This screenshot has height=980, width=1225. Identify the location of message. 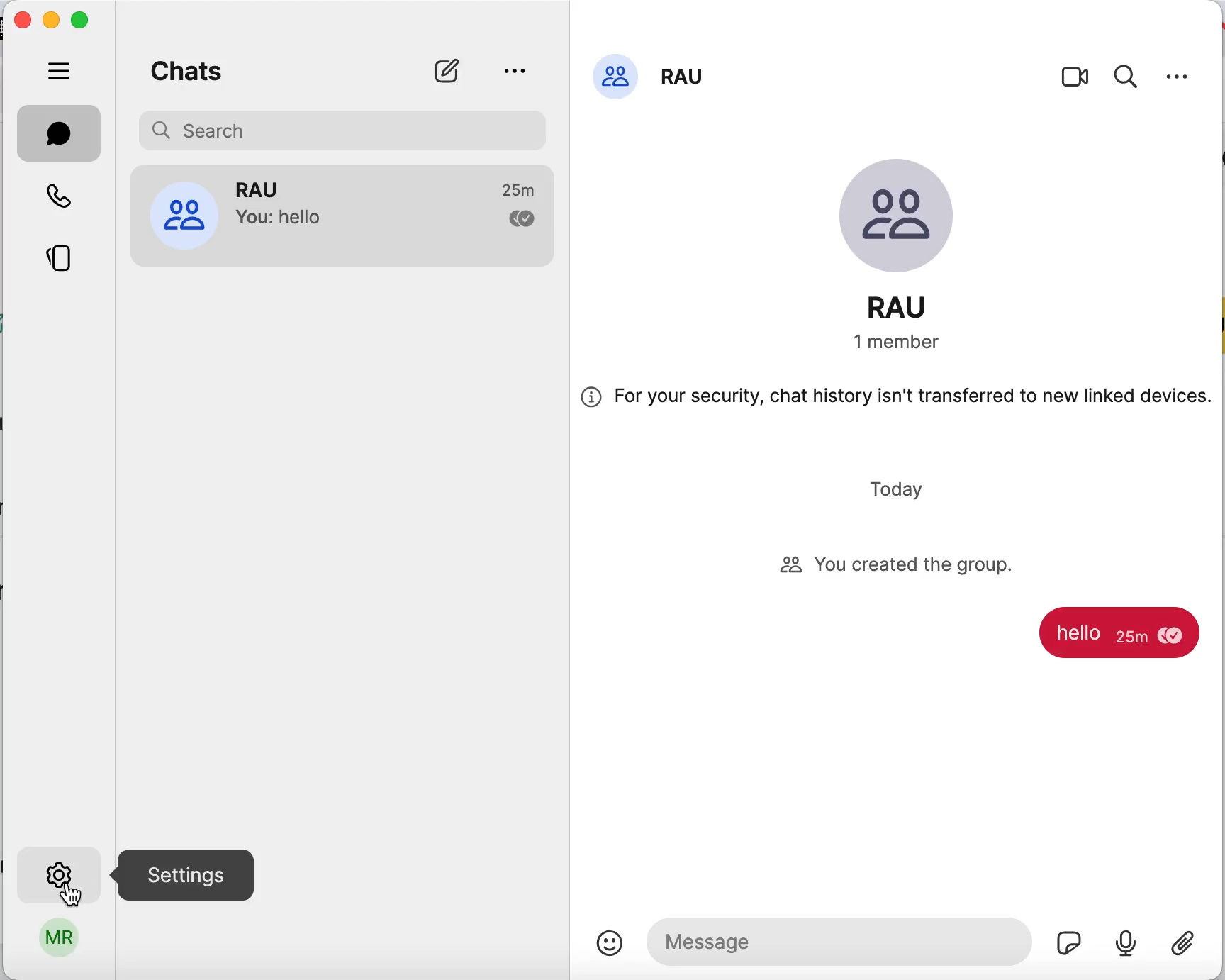
(841, 939).